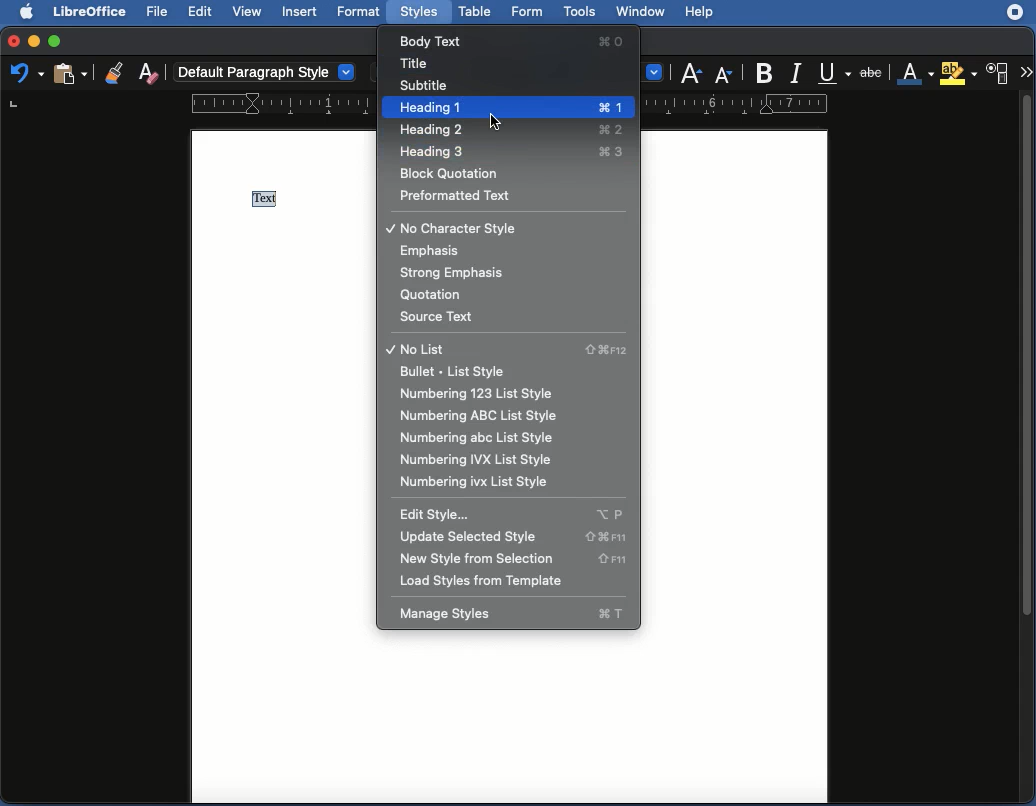 The image size is (1036, 806). I want to click on No character style, so click(458, 227).